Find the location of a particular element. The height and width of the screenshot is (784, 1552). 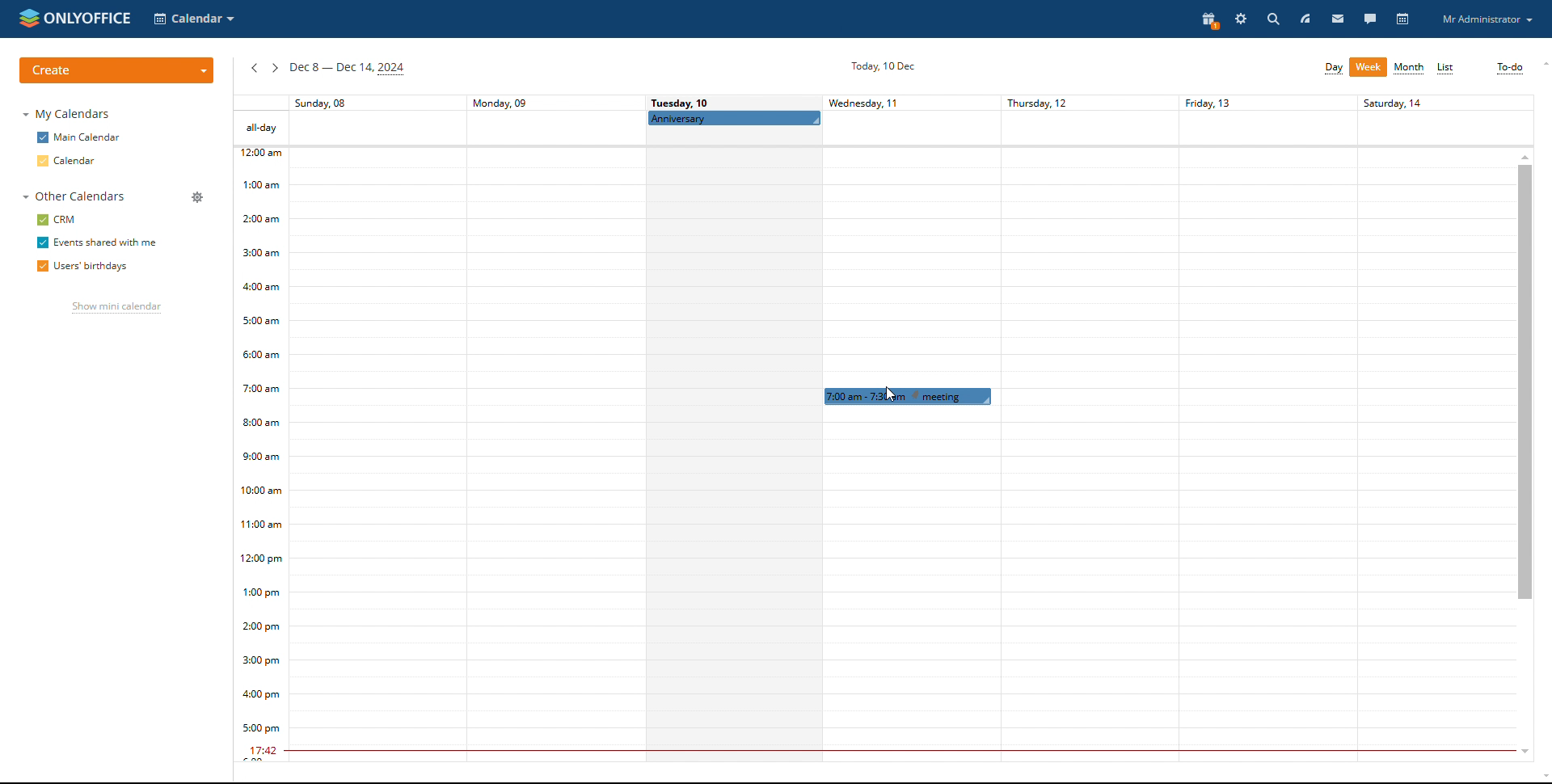

month view is located at coordinates (1410, 68).